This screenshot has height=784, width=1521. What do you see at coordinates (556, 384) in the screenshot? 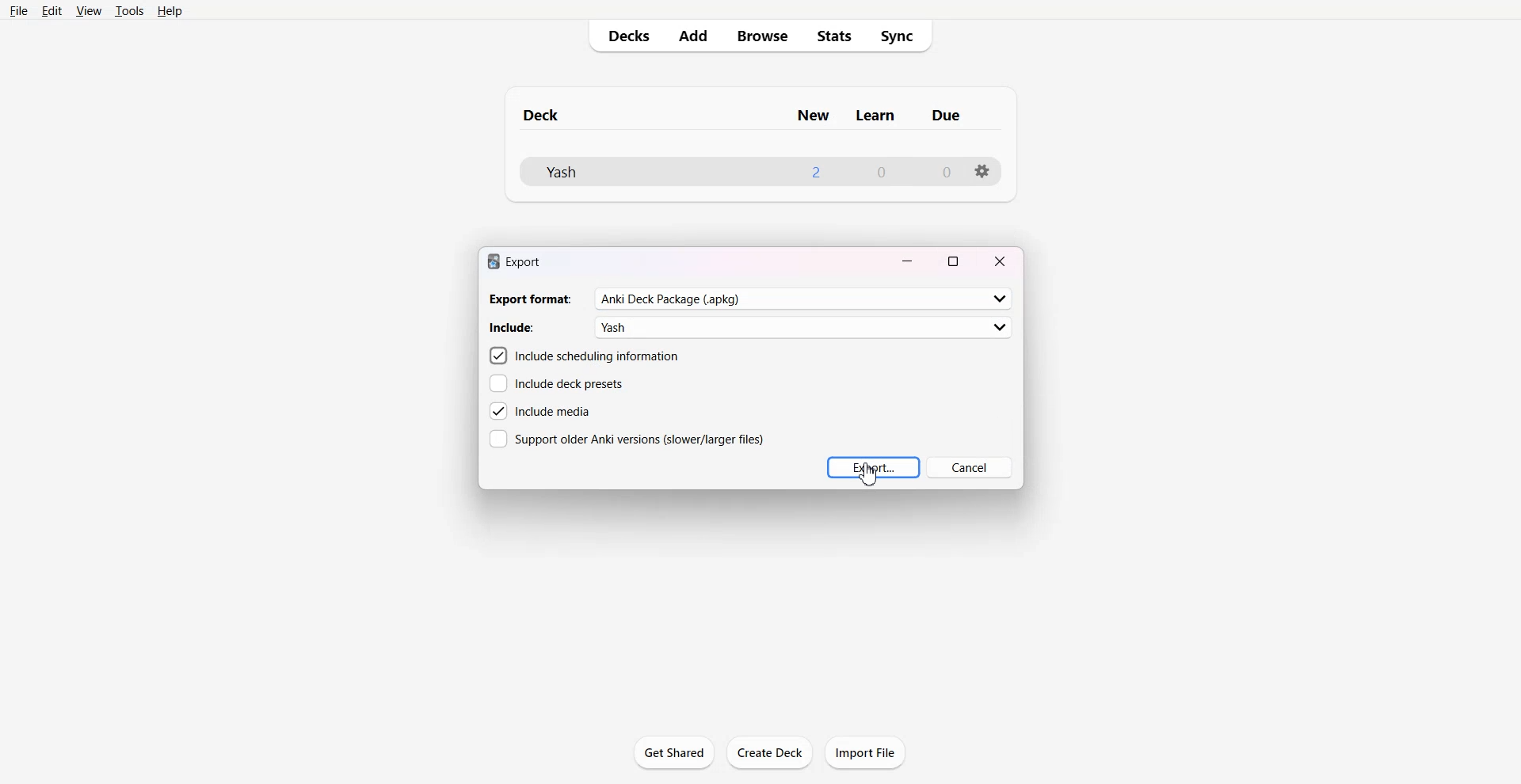
I see `Include deck presets` at bounding box center [556, 384].